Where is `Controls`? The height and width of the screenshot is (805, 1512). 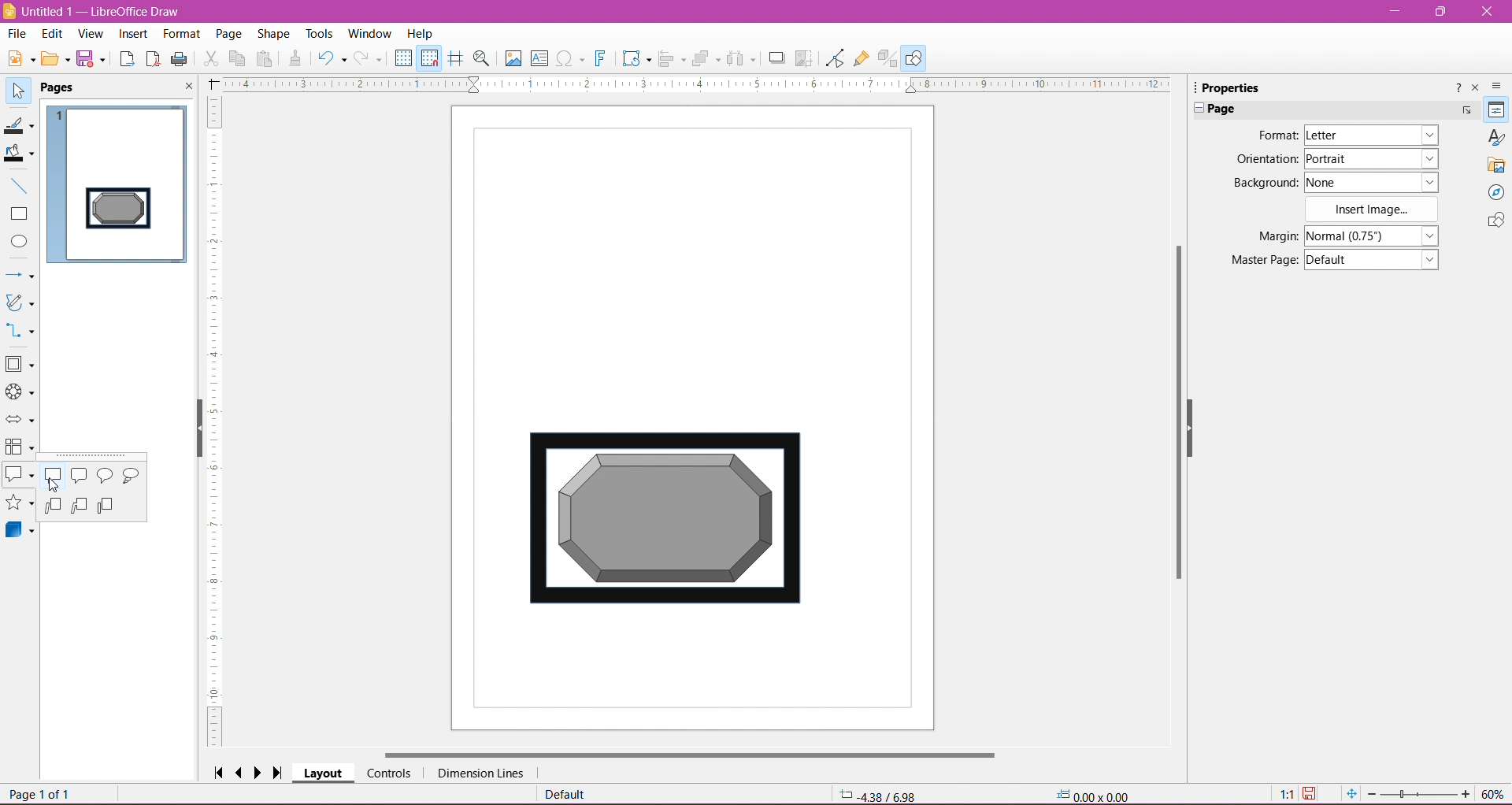 Controls is located at coordinates (389, 773).